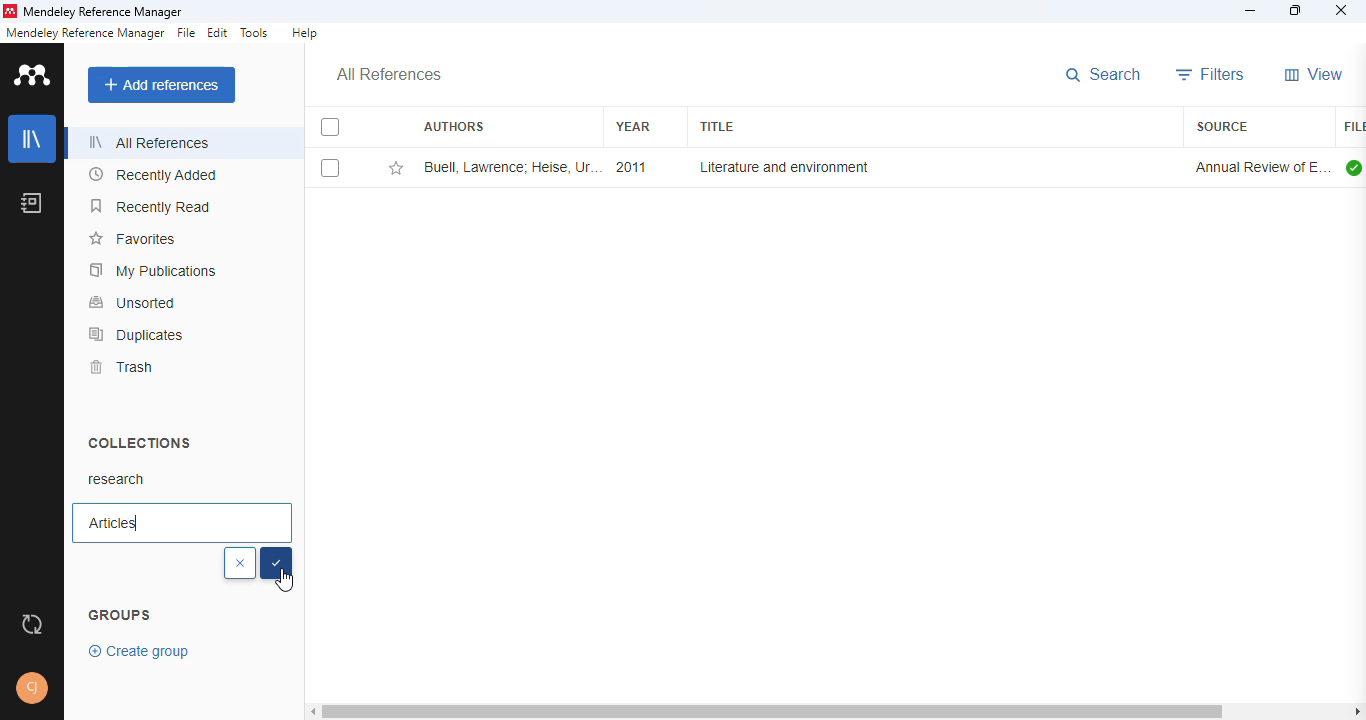  What do you see at coordinates (276, 563) in the screenshot?
I see `select` at bounding box center [276, 563].